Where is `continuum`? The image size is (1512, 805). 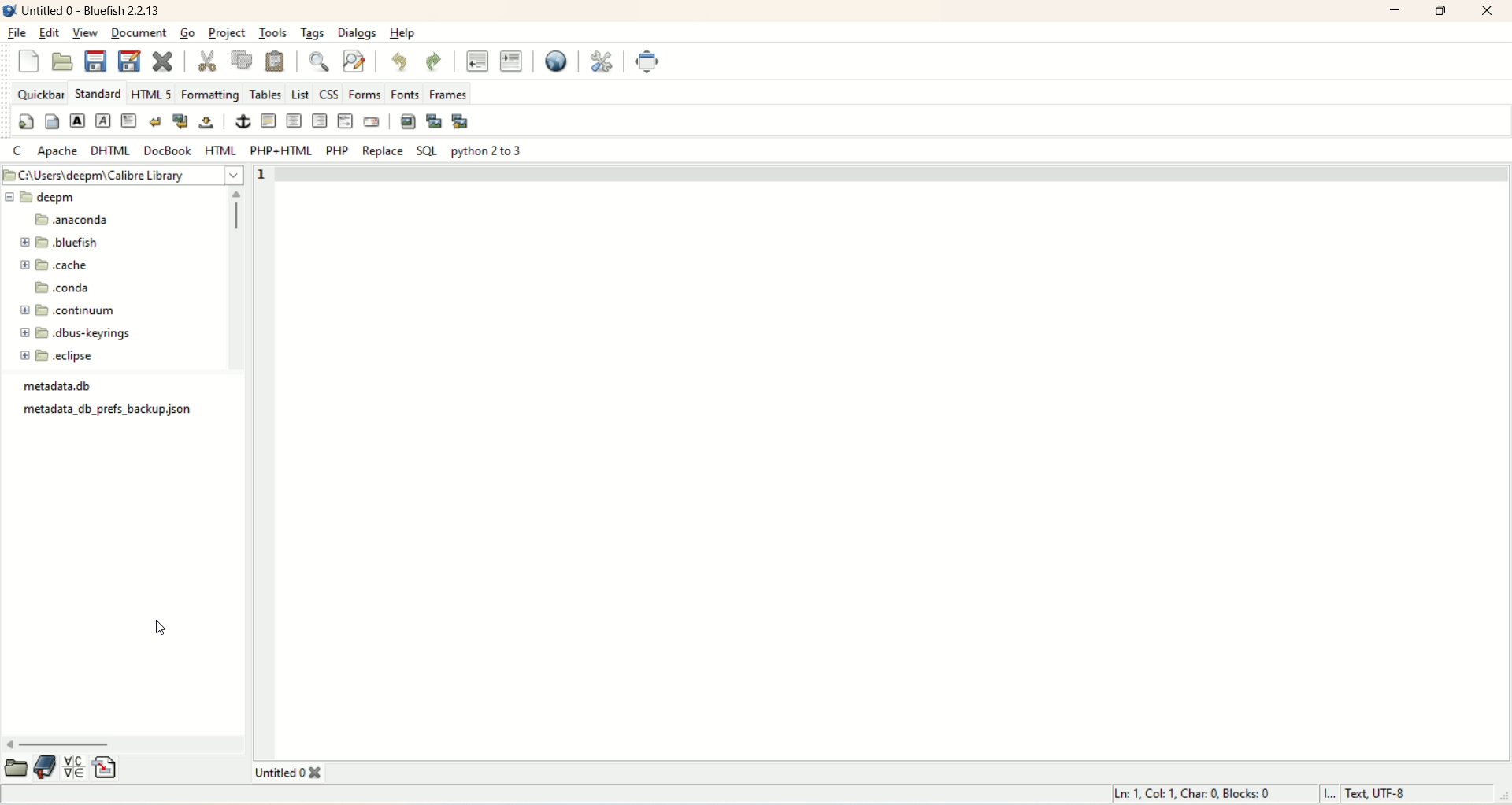
continuum is located at coordinates (72, 310).